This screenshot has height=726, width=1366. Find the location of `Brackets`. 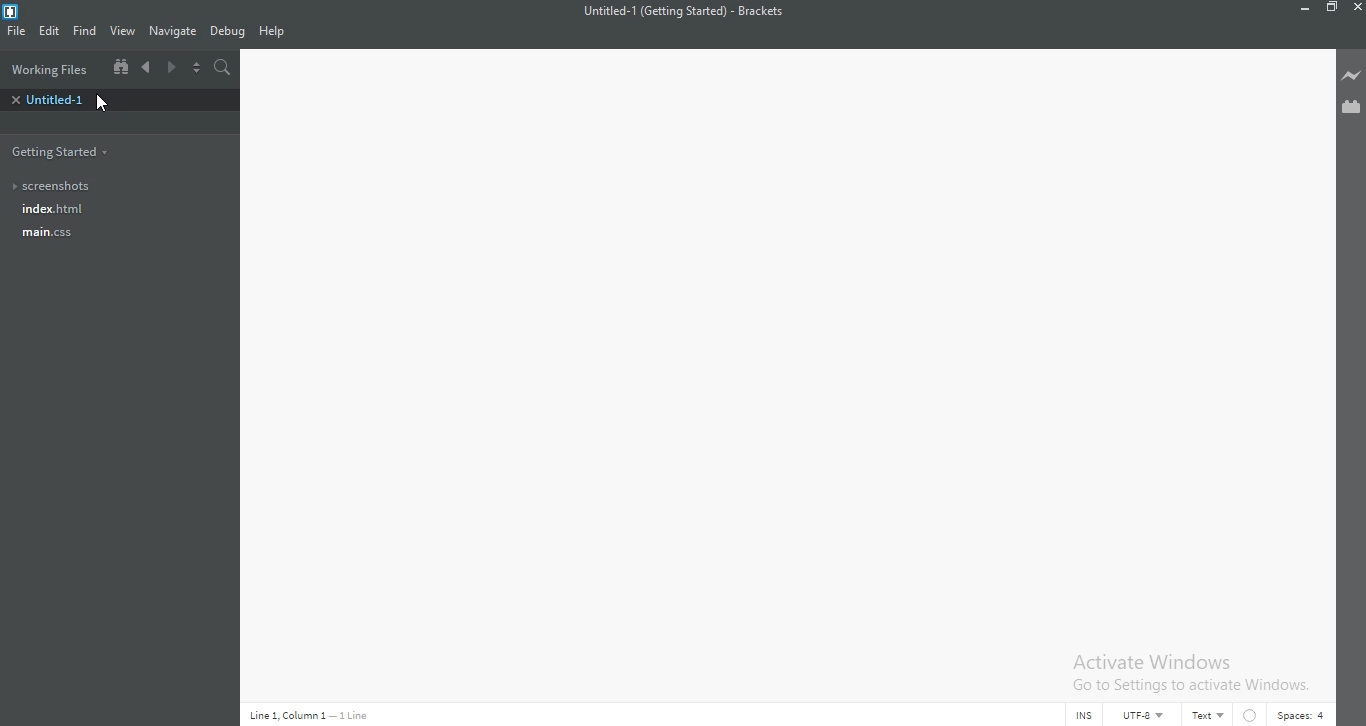

Brackets is located at coordinates (764, 12).